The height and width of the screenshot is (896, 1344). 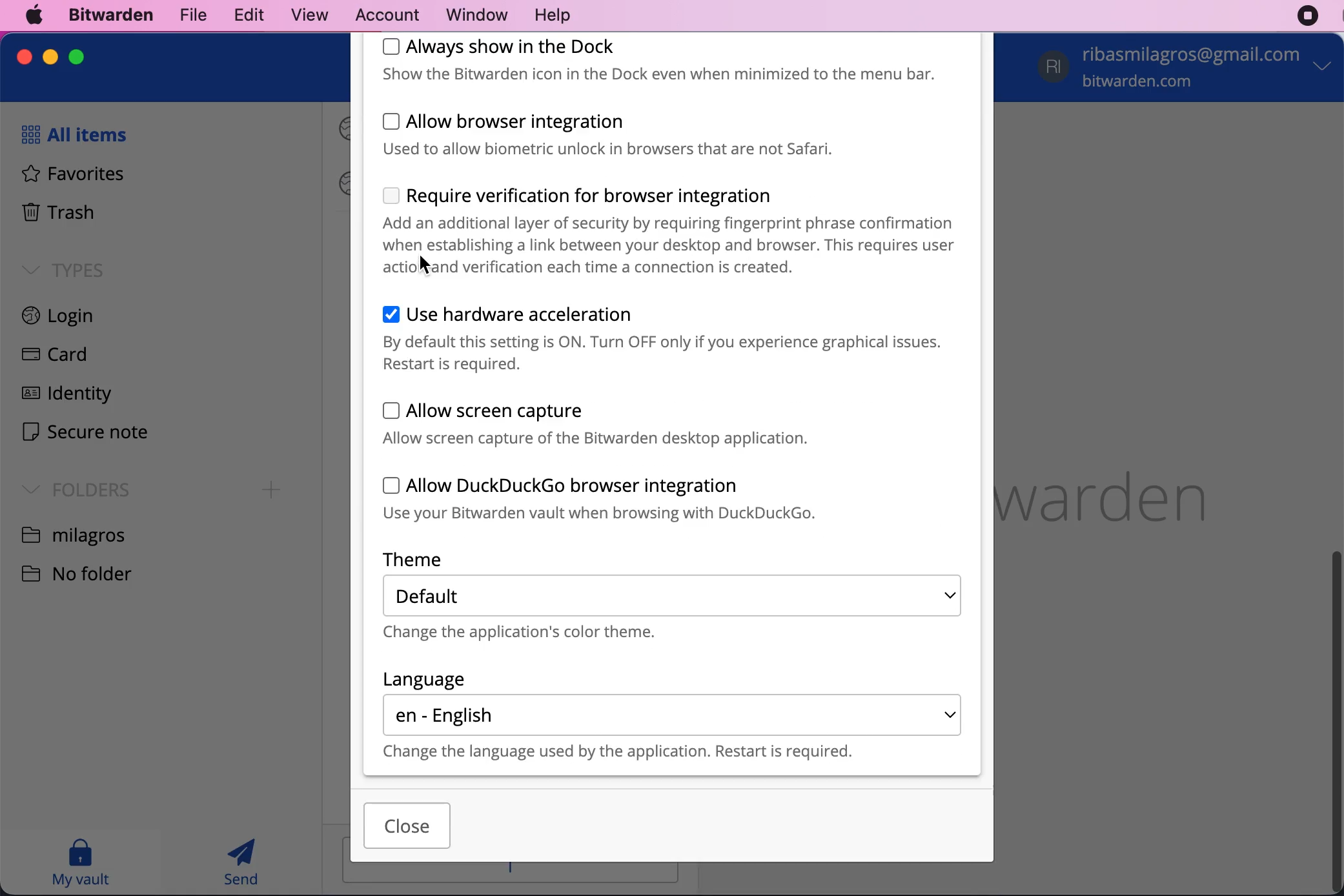 What do you see at coordinates (272, 490) in the screenshot?
I see `Add folder` at bounding box center [272, 490].